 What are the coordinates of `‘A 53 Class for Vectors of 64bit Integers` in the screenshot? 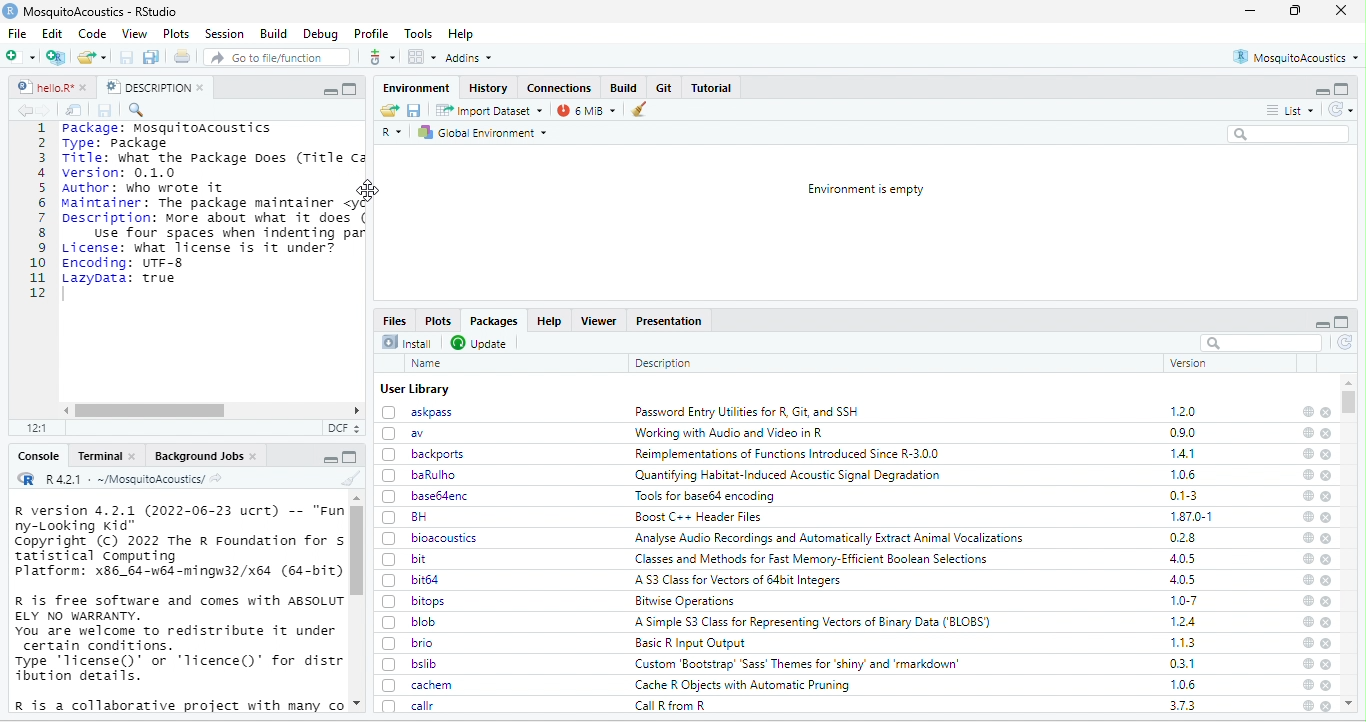 It's located at (742, 580).